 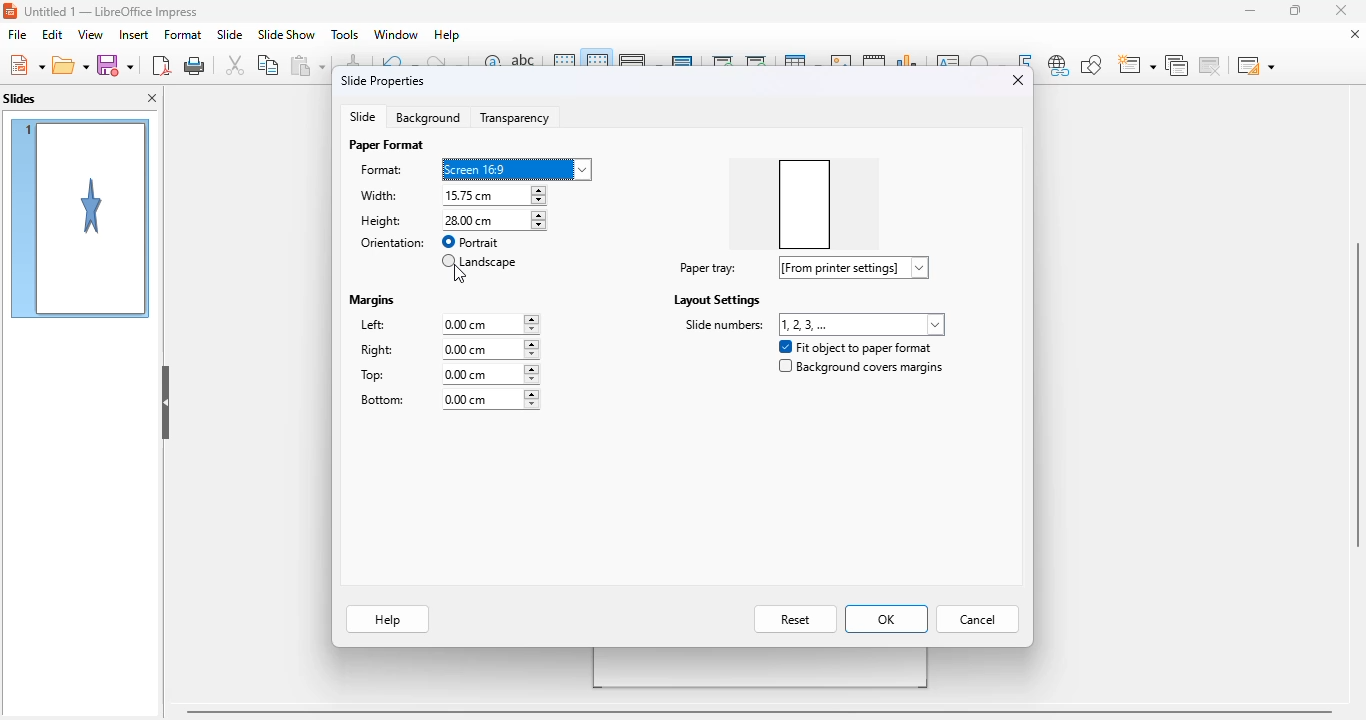 What do you see at coordinates (480, 375) in the screenshot?
I see `top: 0.00 cm` at bounding box center [480, 375].